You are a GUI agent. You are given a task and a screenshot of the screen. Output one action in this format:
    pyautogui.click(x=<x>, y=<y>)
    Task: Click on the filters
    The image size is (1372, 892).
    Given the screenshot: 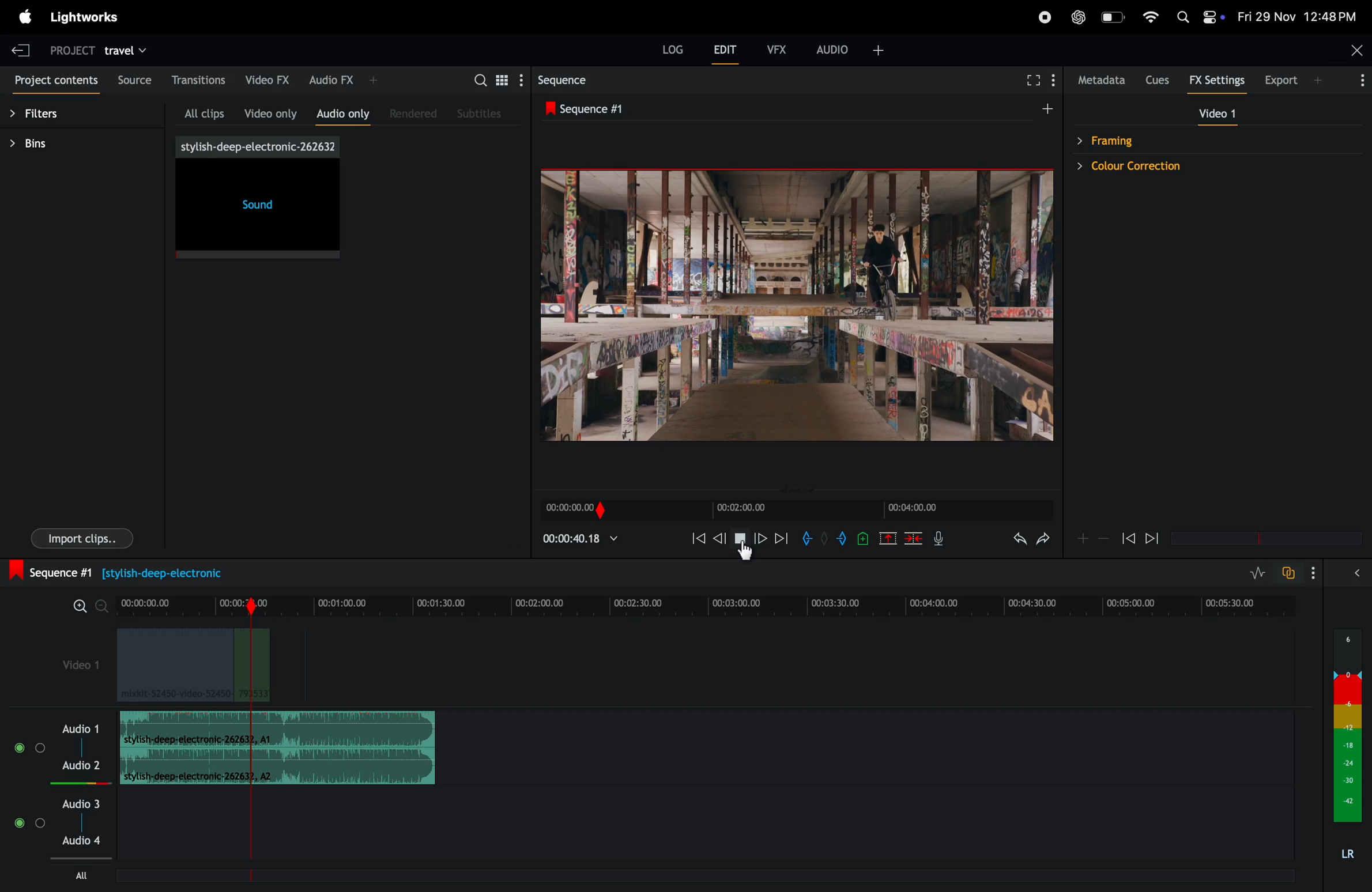 What is the action you would take?
    pyautogui.click(x=54, y=115)
    